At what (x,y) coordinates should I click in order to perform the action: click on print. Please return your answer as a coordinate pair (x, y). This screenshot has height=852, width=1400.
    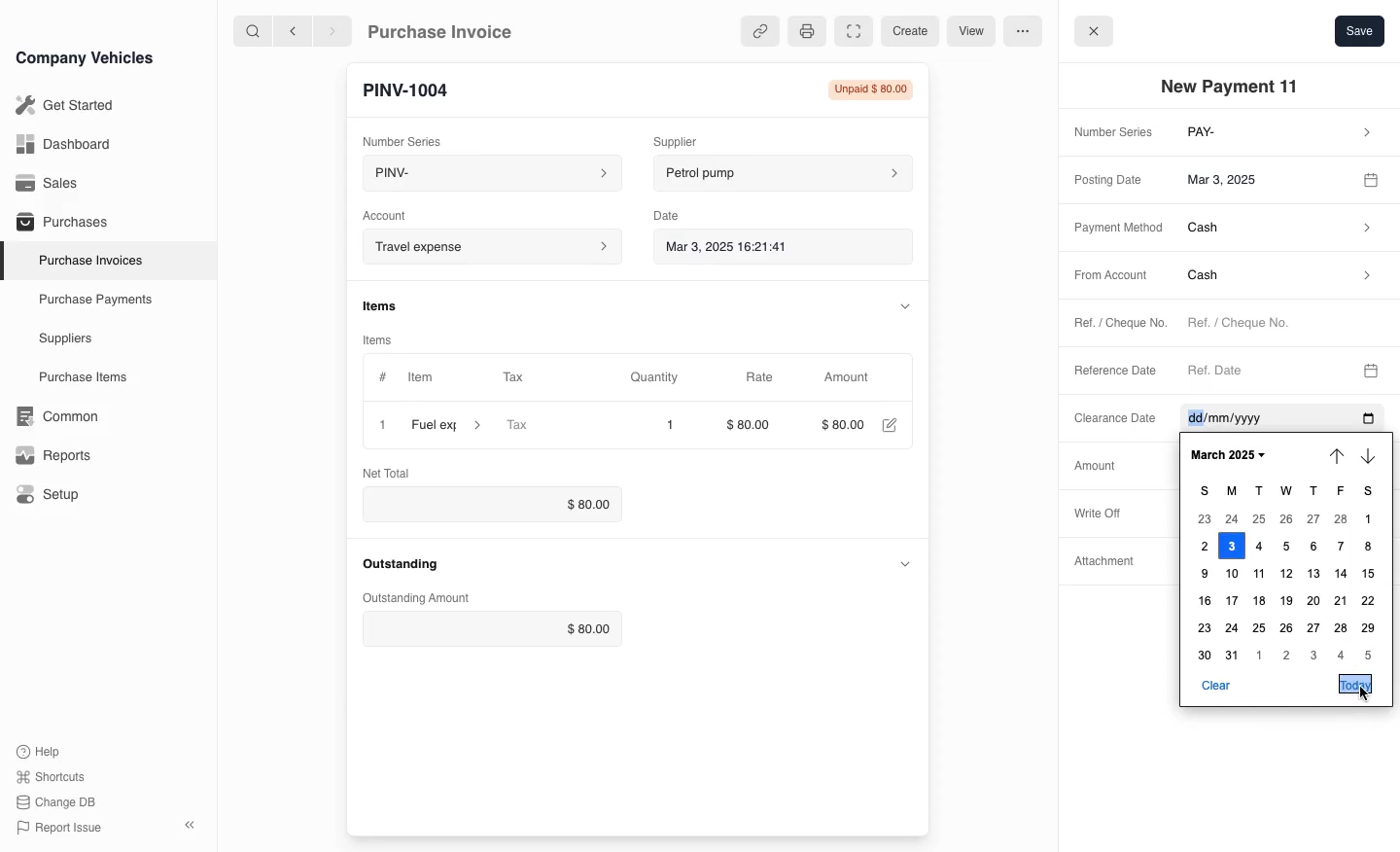
    Looking at the image, I should click on (805, 30).